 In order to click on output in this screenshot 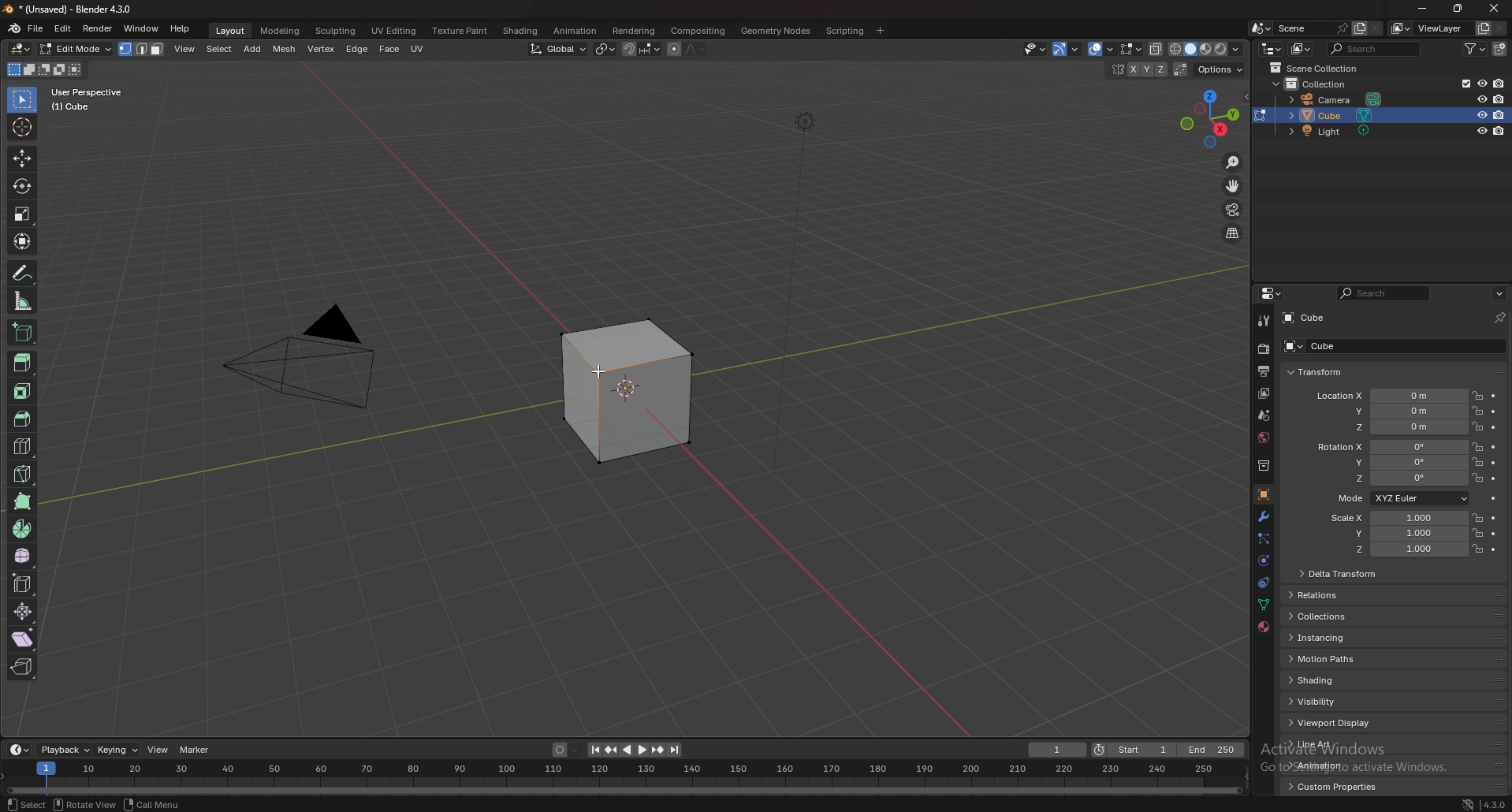, I will do `click(1265, 371)`.